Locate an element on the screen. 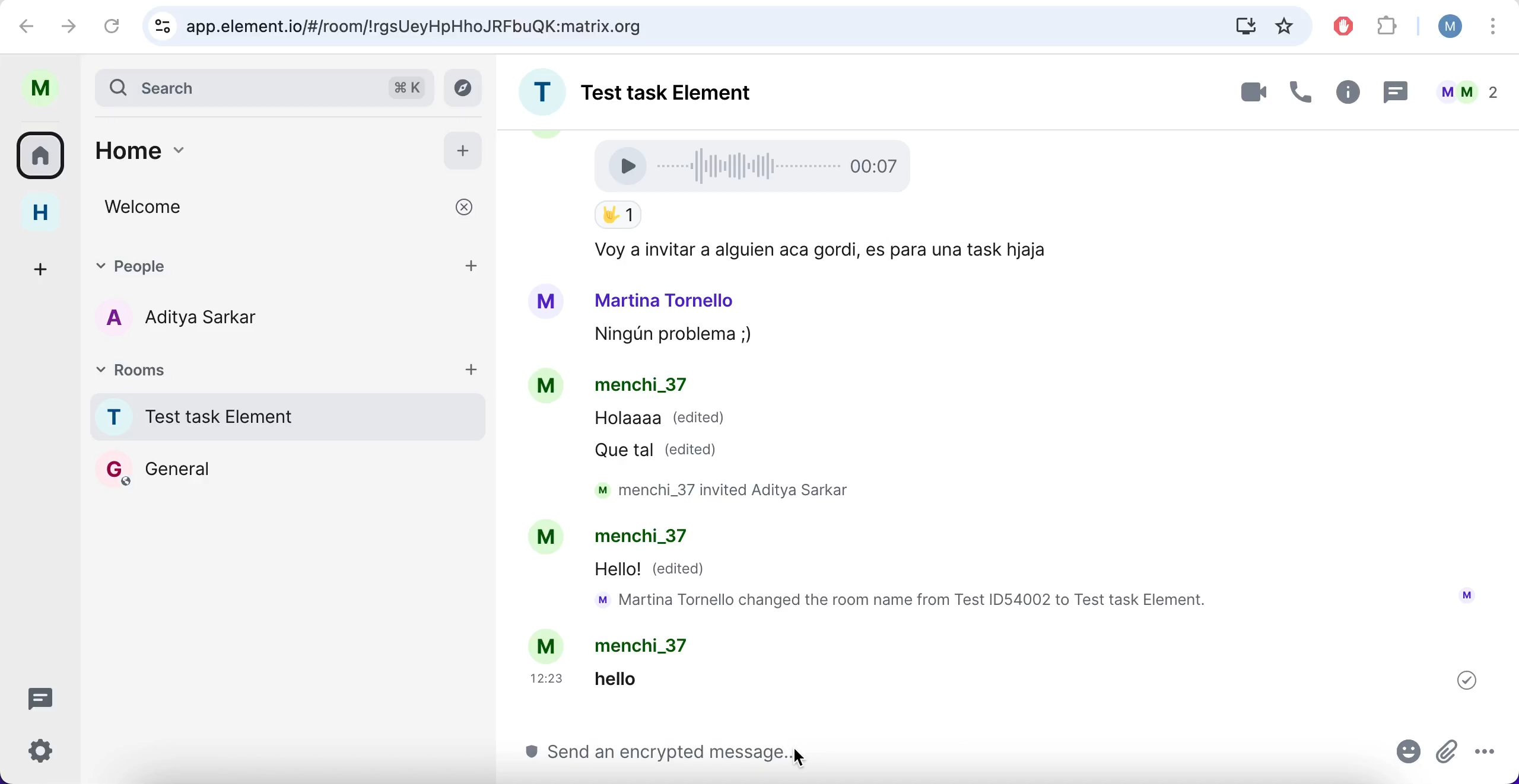  welcome is located at coordinates (291, 207).